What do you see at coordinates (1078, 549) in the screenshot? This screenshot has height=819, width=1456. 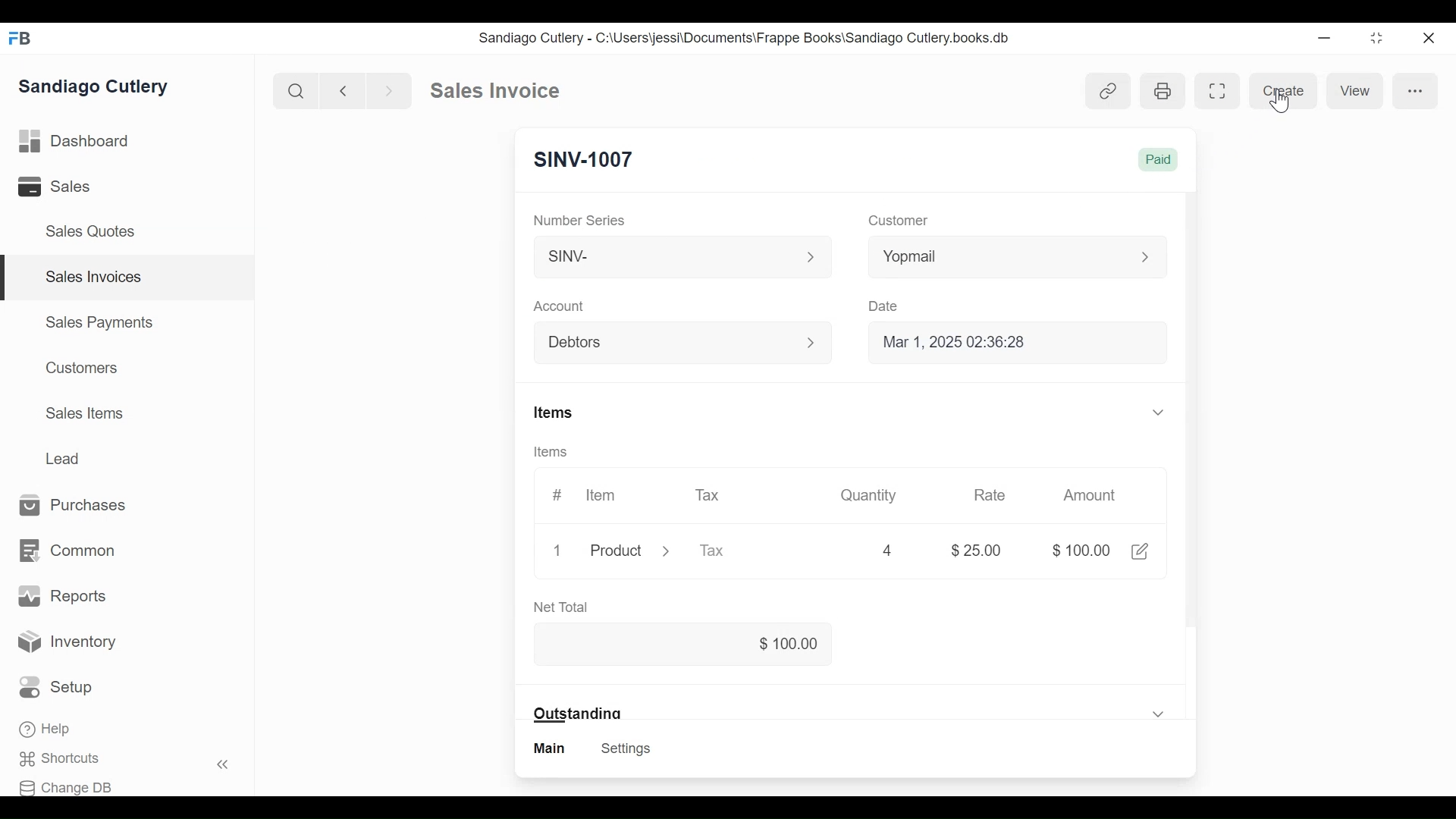 I see `$100.00` at bounding box center [1078, 549].